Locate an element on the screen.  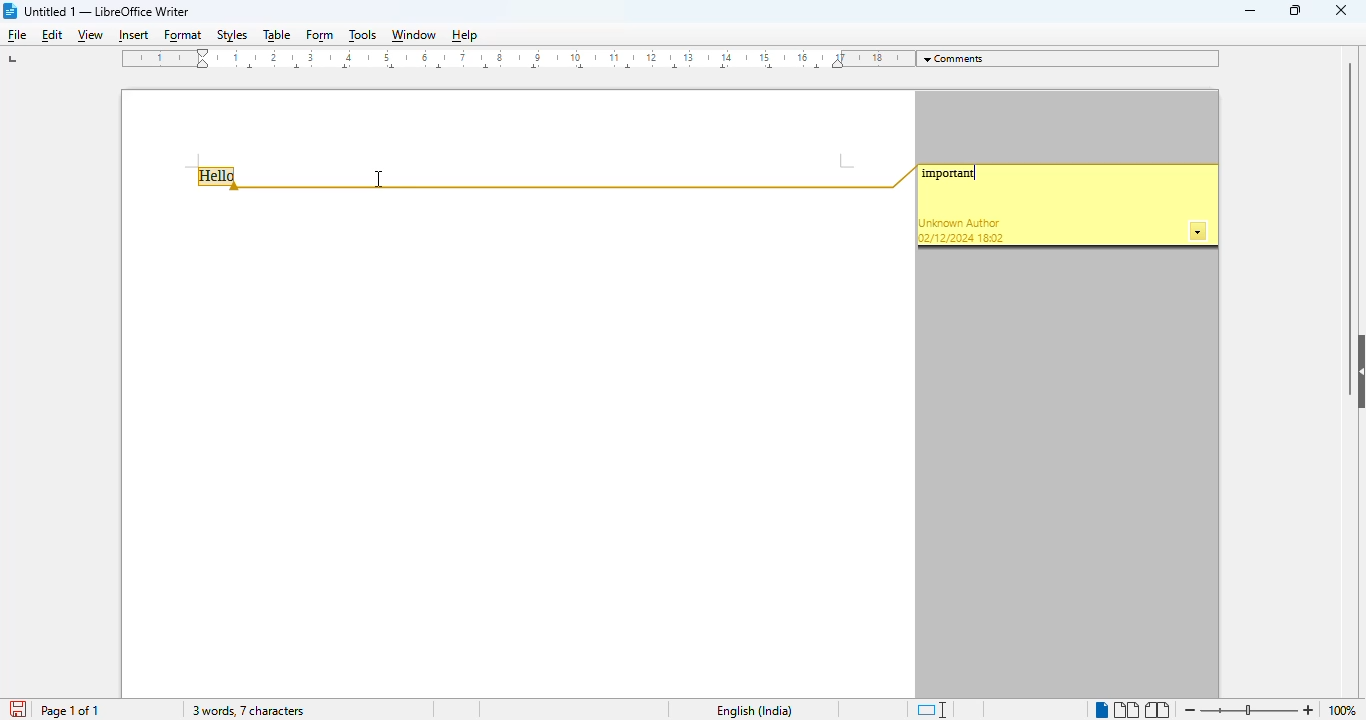
book view is located at coordinates (1158, 710).